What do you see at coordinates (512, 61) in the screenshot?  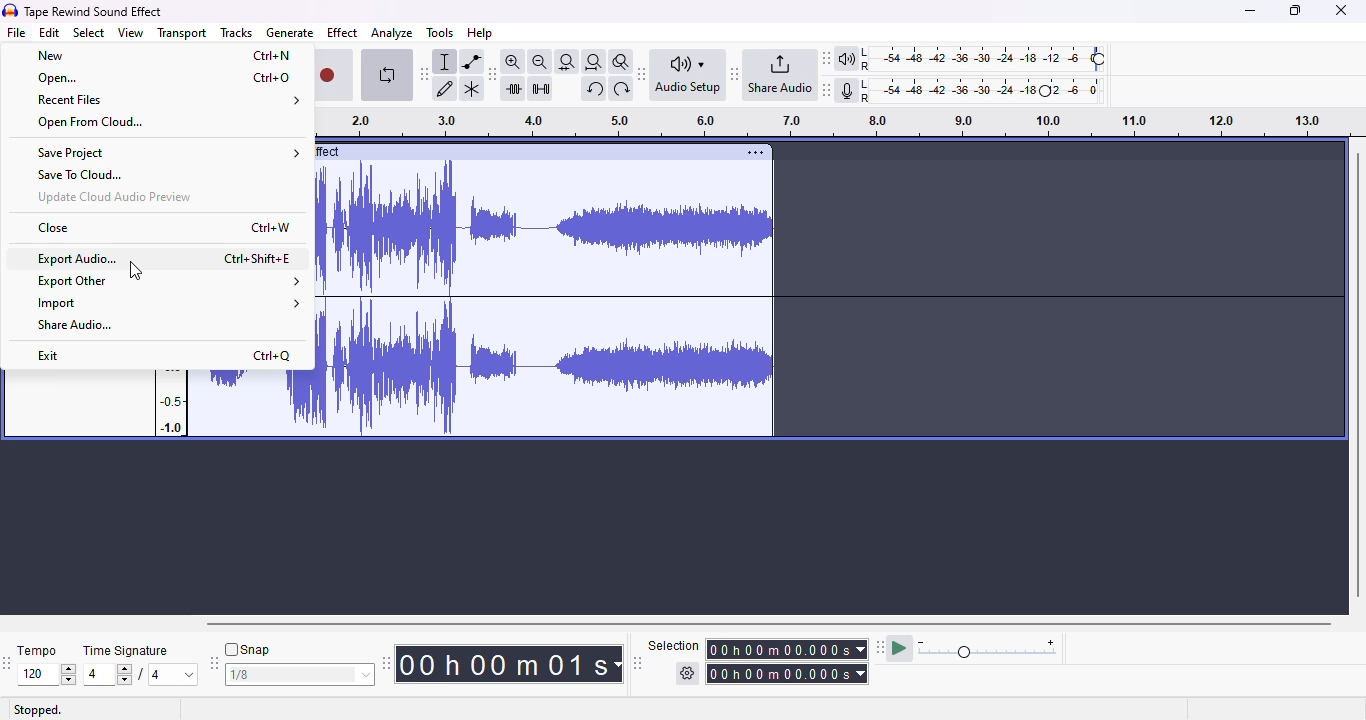 I see `zoom in` at bounding box center [512, 61].